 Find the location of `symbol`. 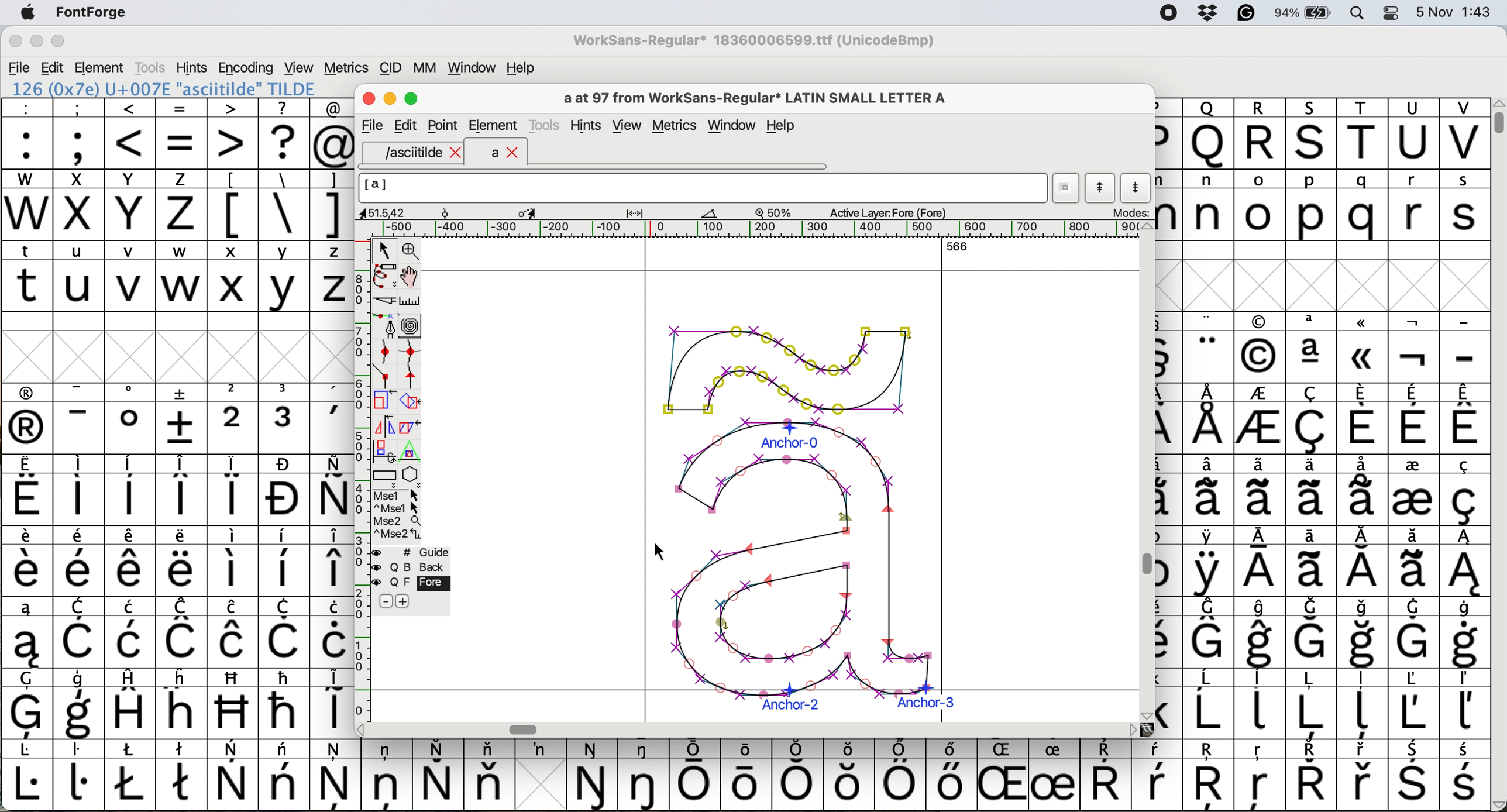

symbol is located at coordinates (749, 773).